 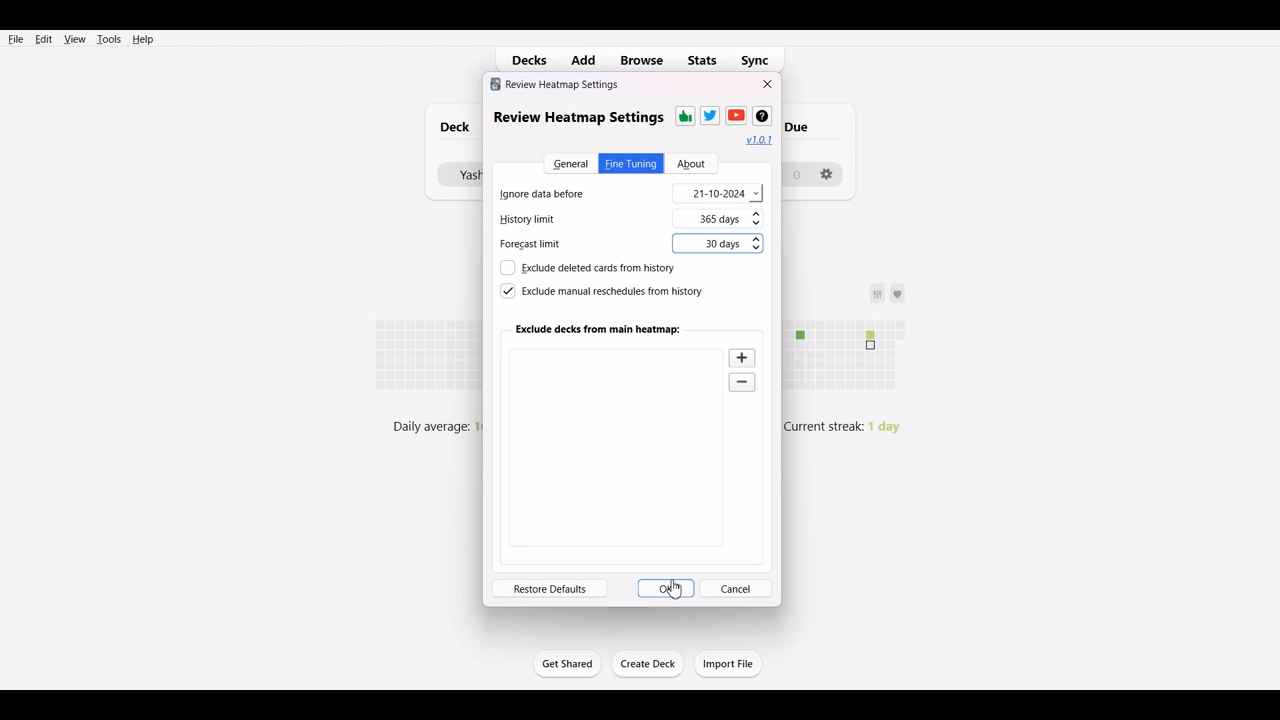 What do you see at coordinates (550, 588) in the screenshot?
I see `Restore defaults` at bounding box center [550, 588].